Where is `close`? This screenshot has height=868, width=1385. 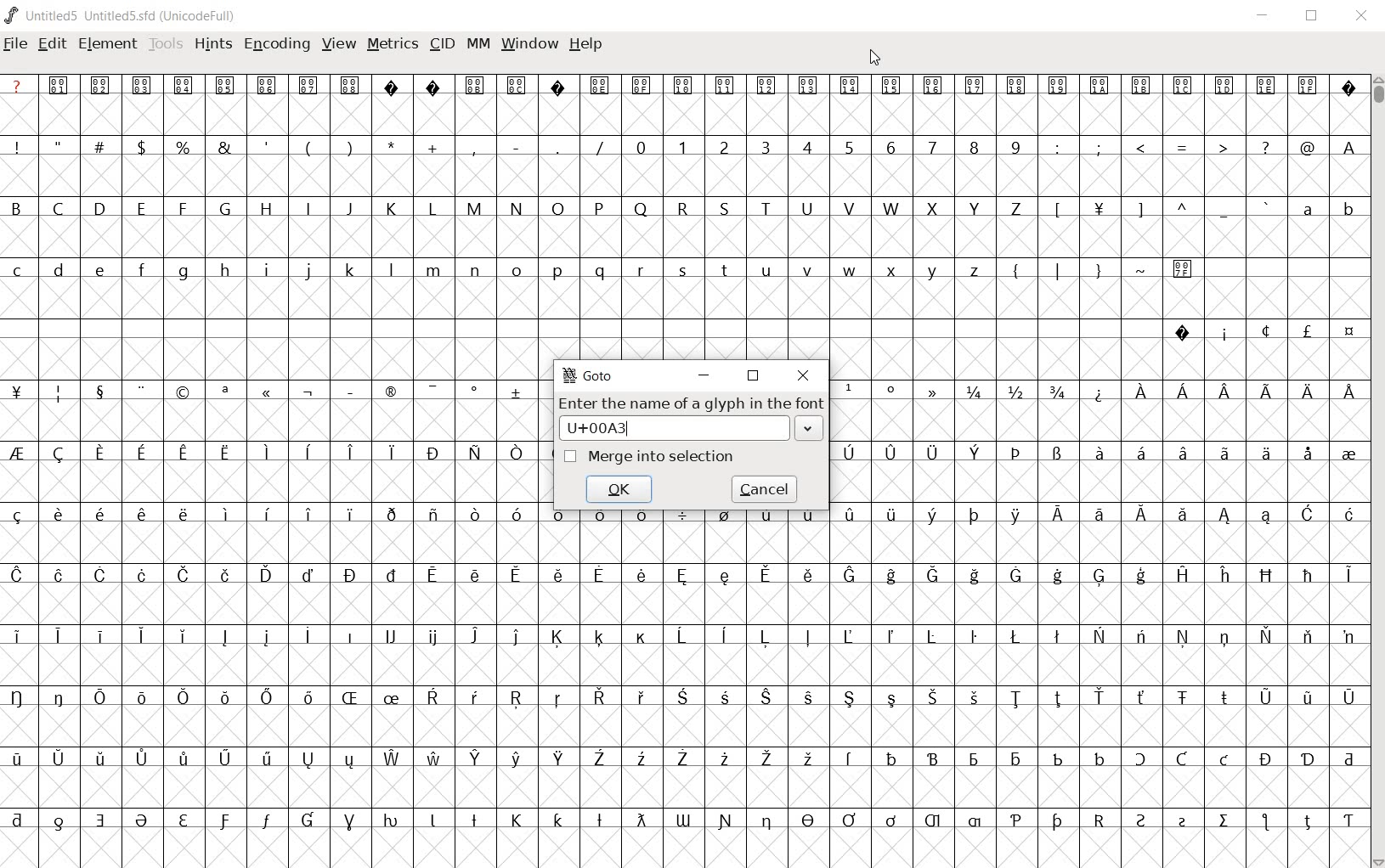
close is located at coordinates (1363, 17).